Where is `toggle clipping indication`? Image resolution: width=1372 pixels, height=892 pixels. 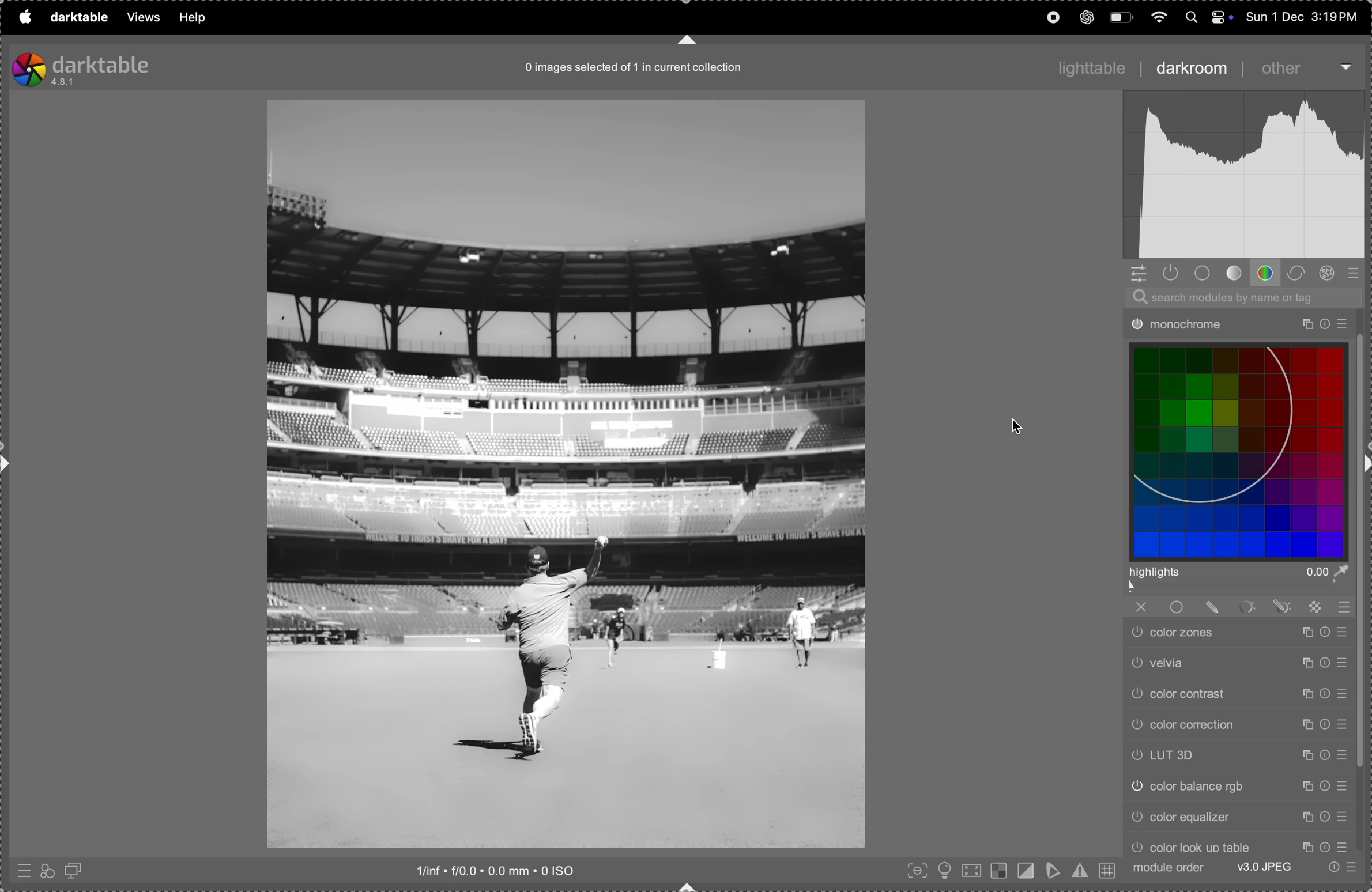
toggle clipping indication is located at coordinates (1026, 869).